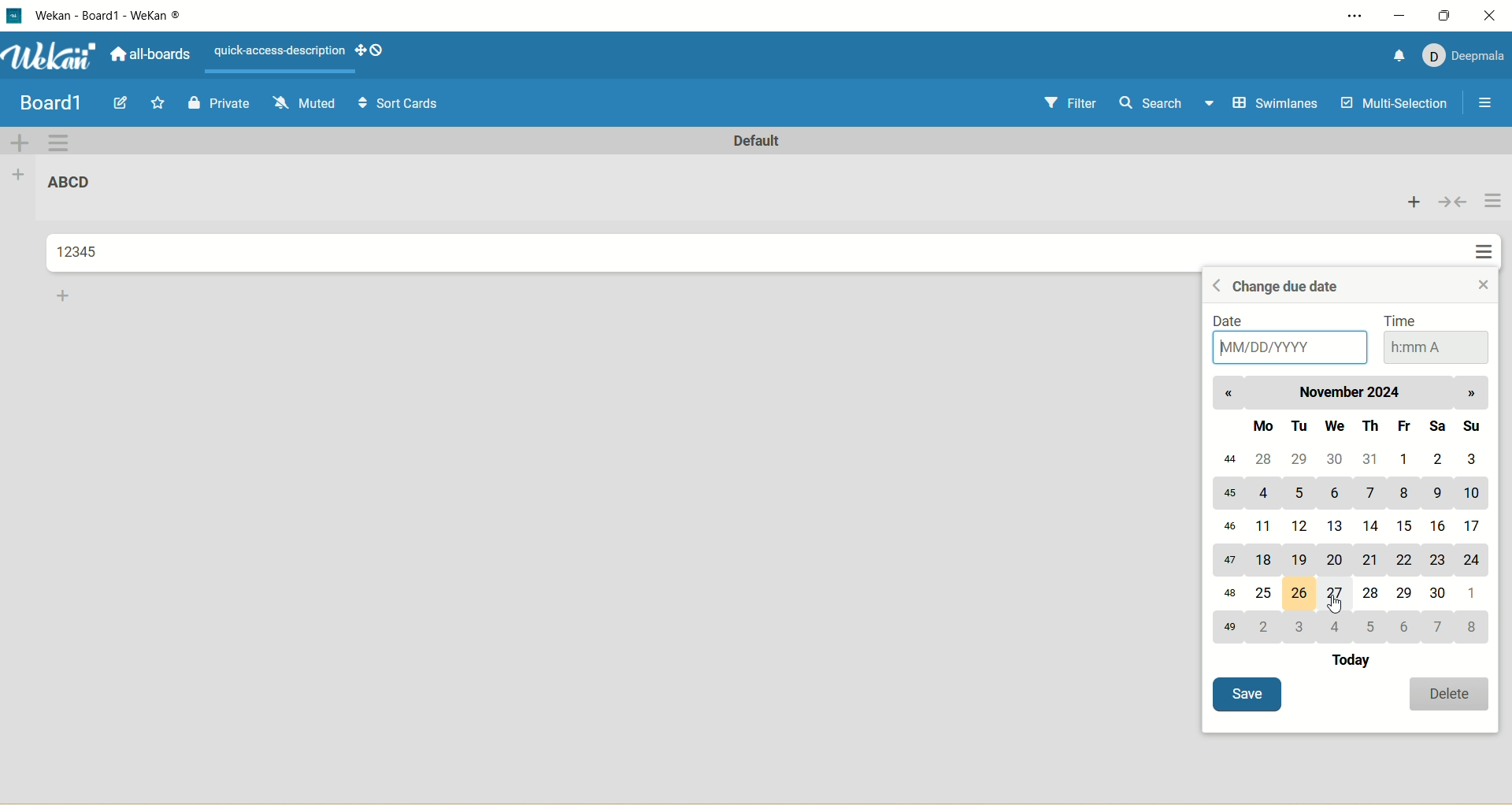  Describe the element at coordinates (1400, 56) in the screenshot. I see `notification` at that location.